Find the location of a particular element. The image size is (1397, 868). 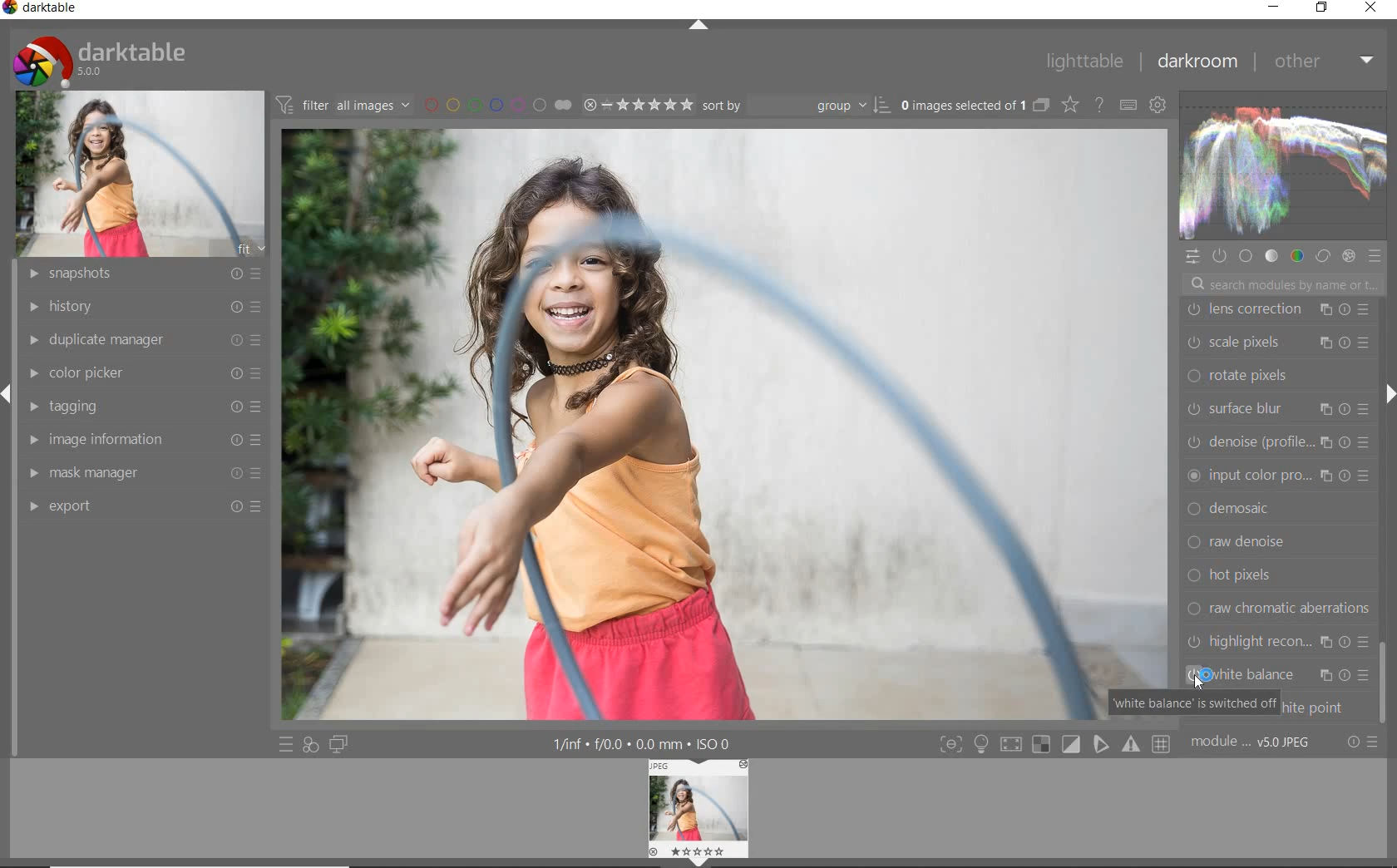

restore is located at coordinates (1321, 7).